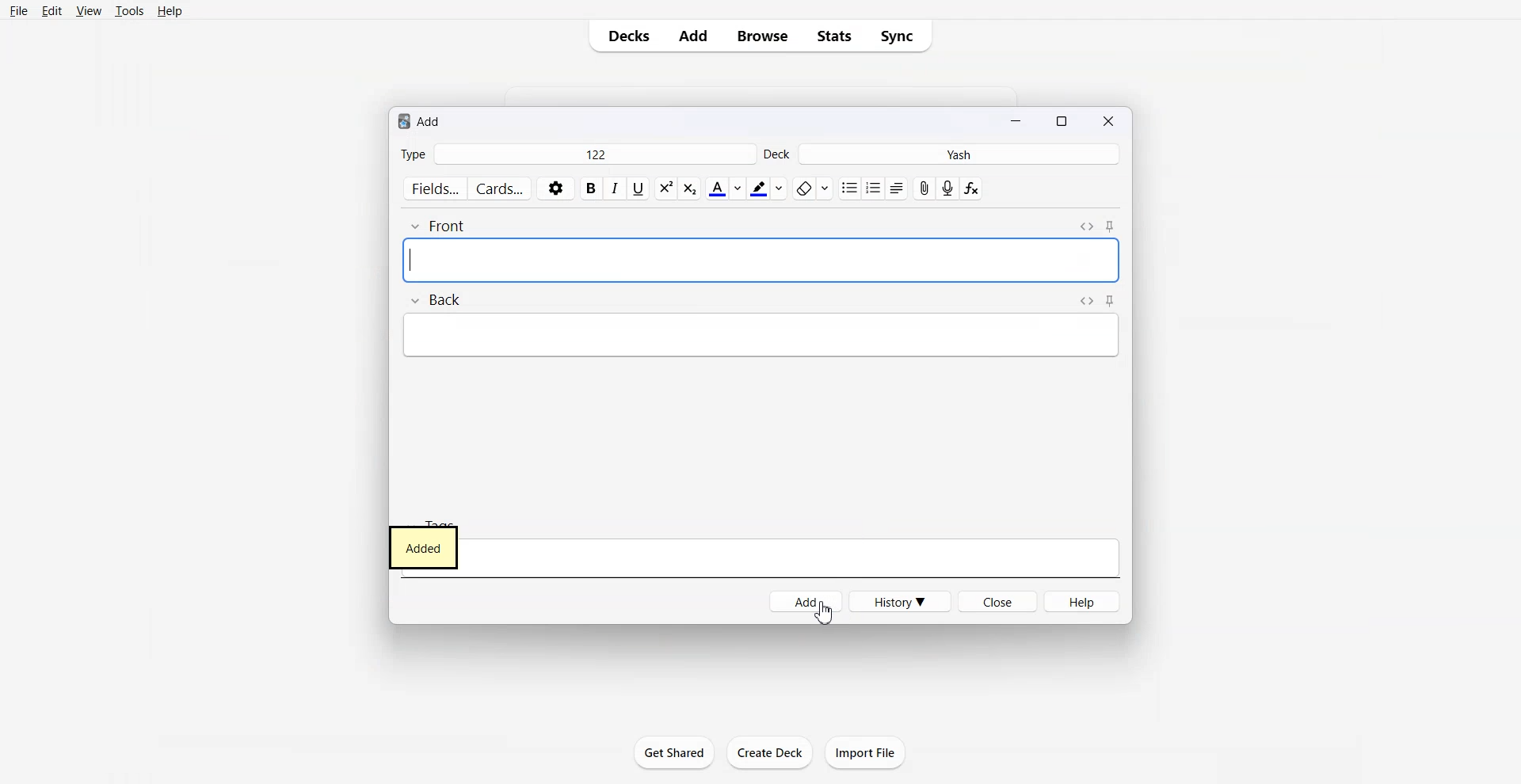  What do you see at coordinates (169, 12) in the screenshot?
I see `Help` at bounding box center [169, 12].